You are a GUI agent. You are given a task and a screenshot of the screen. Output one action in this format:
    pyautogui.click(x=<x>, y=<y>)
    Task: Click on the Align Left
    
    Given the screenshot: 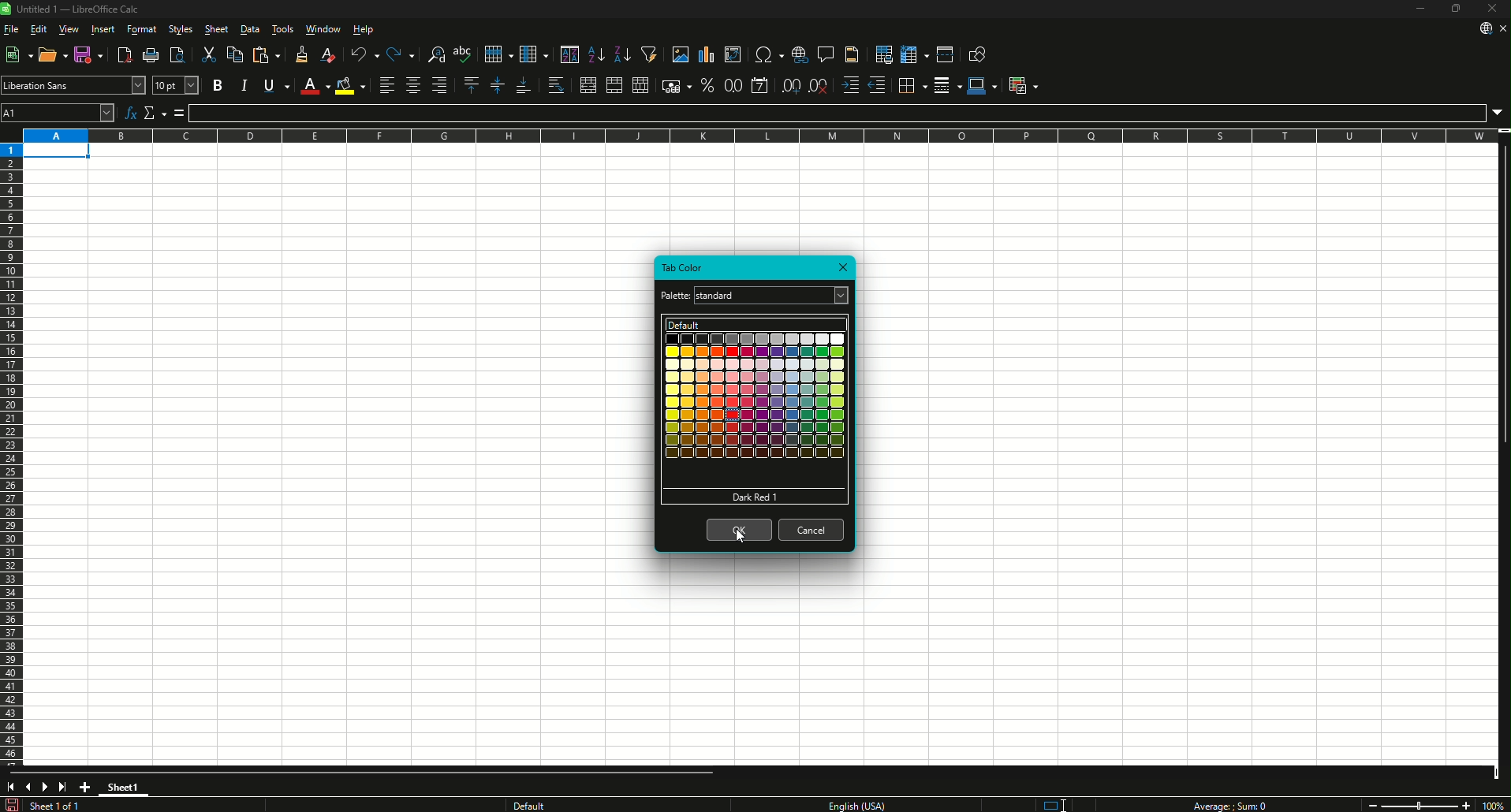 What is the action you would take?
    pyautogui.click(x=387, y=84)
    